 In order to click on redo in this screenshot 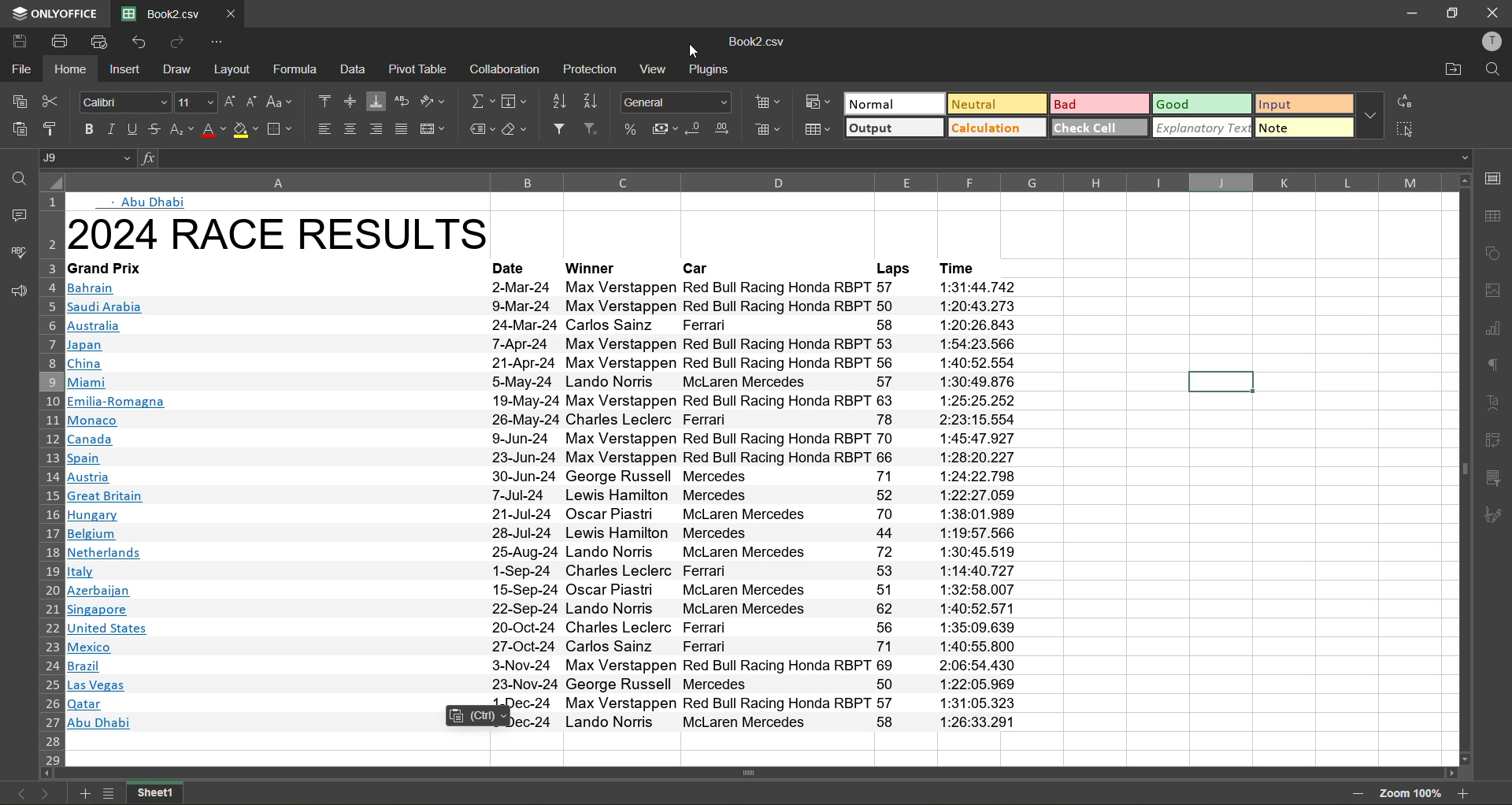, I will do `click(179, 42)`.